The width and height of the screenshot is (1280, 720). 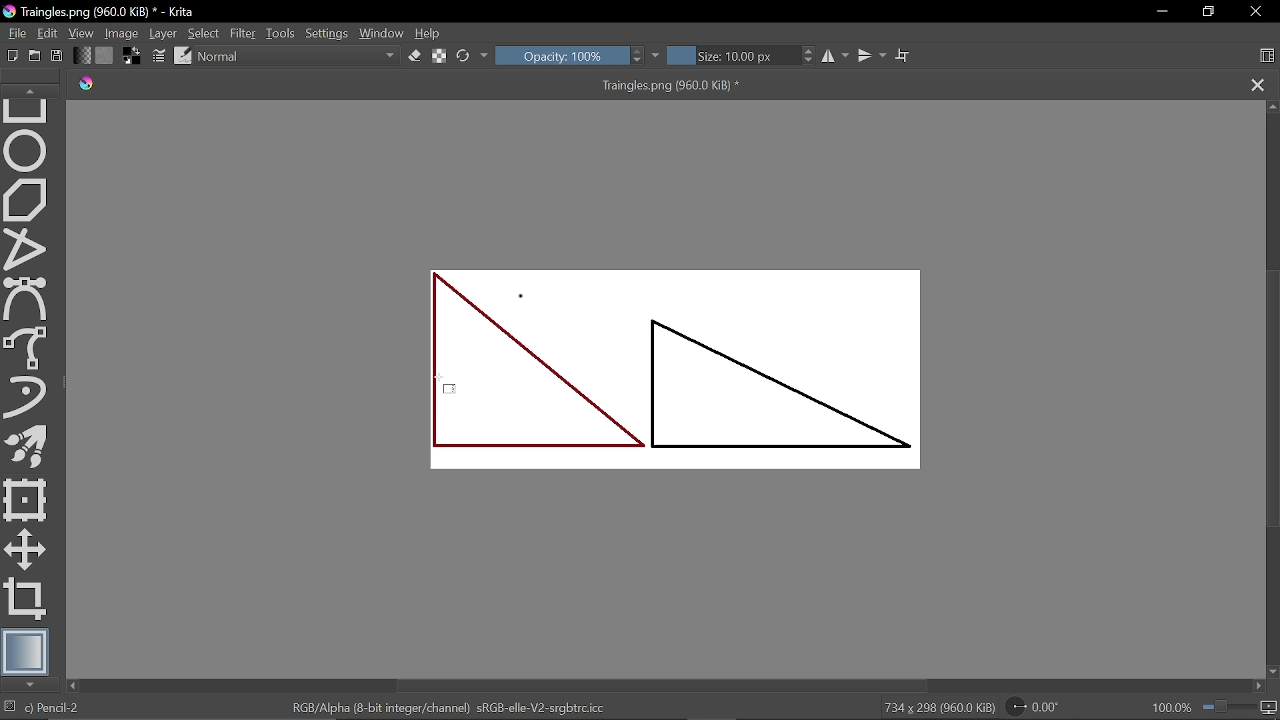 I want to click on Move left, so click(x=75, y=686).